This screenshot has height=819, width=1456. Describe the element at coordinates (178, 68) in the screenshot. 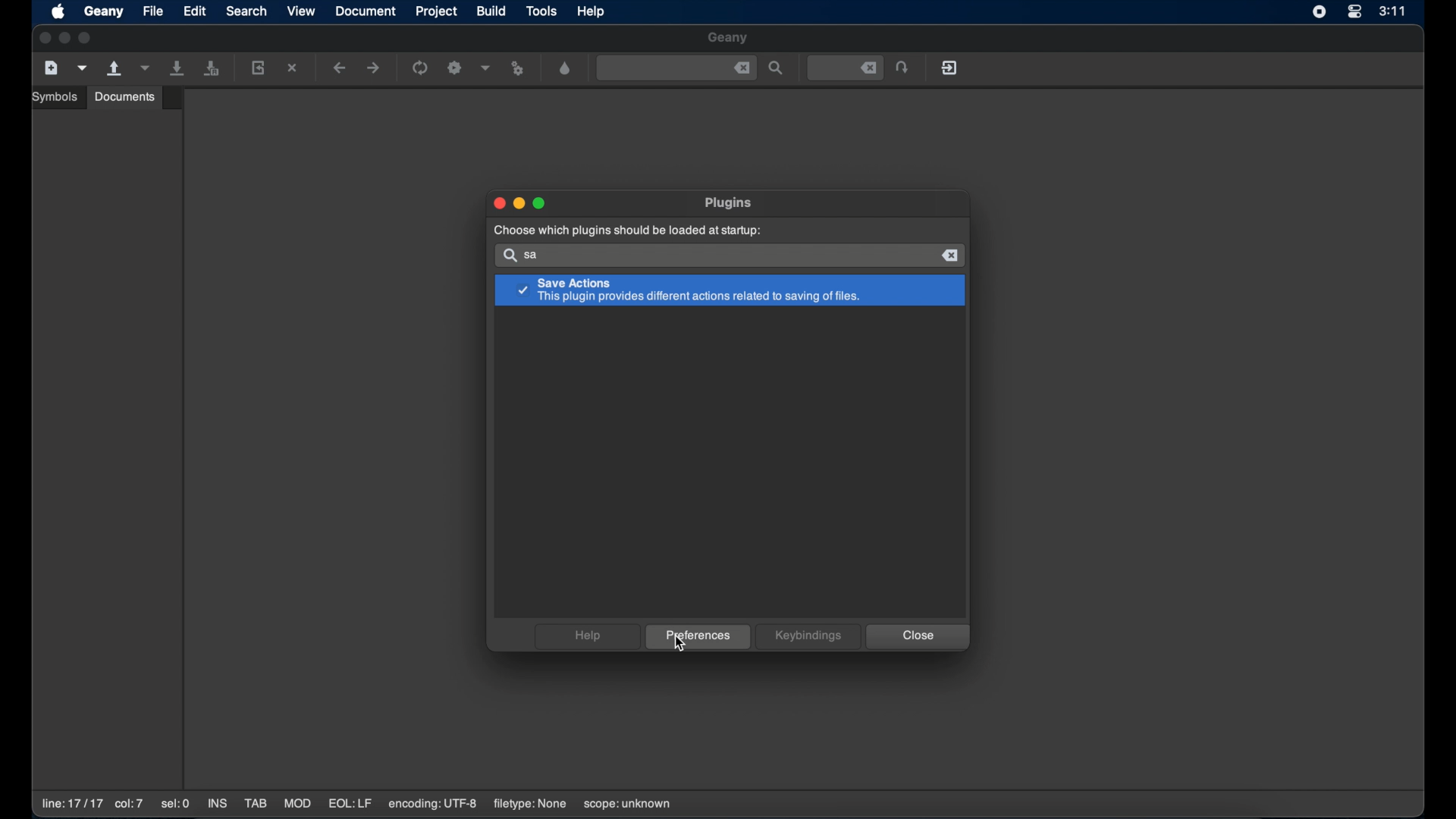

I see `save all current file` at that location.